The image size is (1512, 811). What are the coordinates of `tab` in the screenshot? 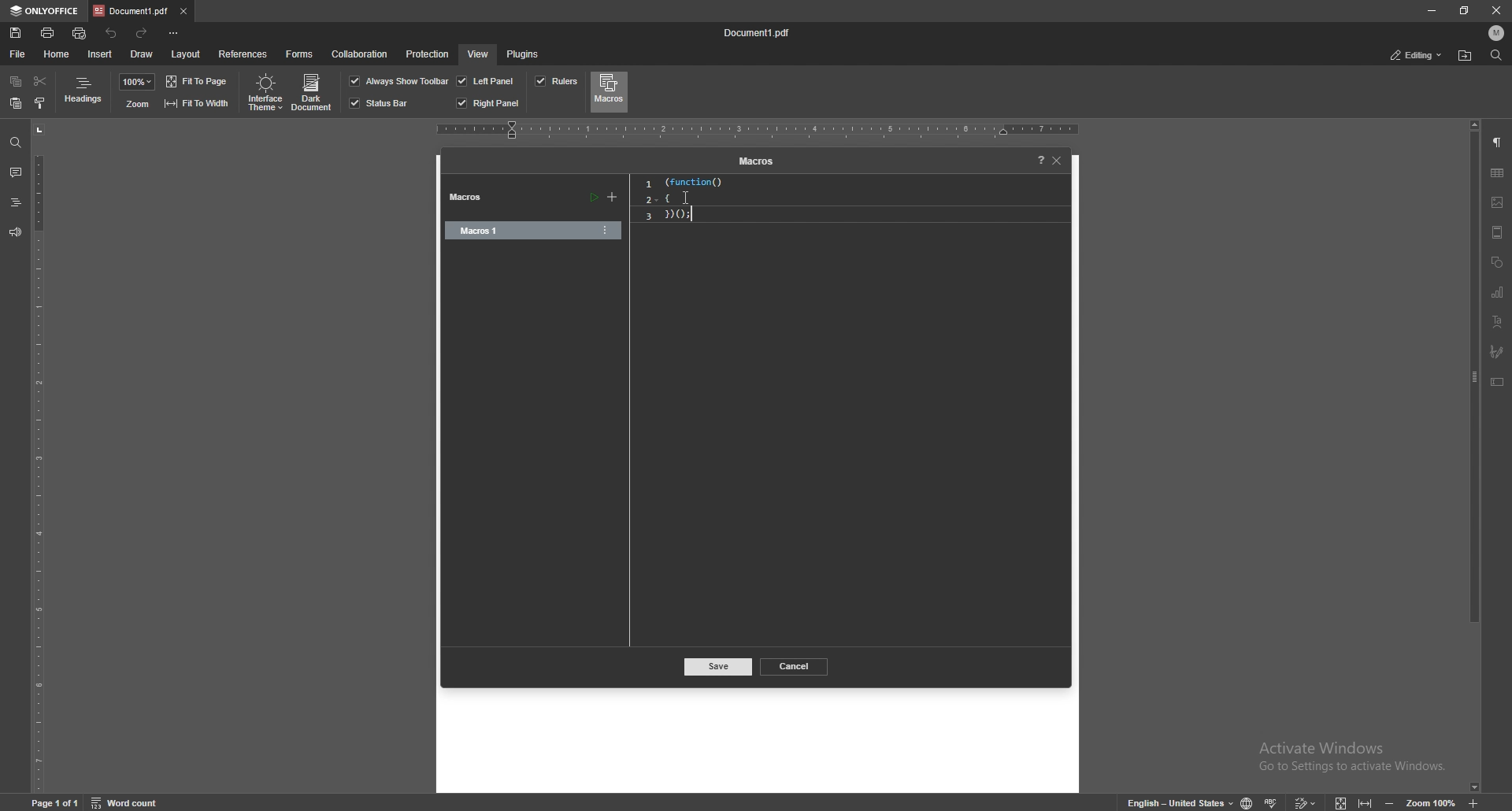 It's located at (130, 11).